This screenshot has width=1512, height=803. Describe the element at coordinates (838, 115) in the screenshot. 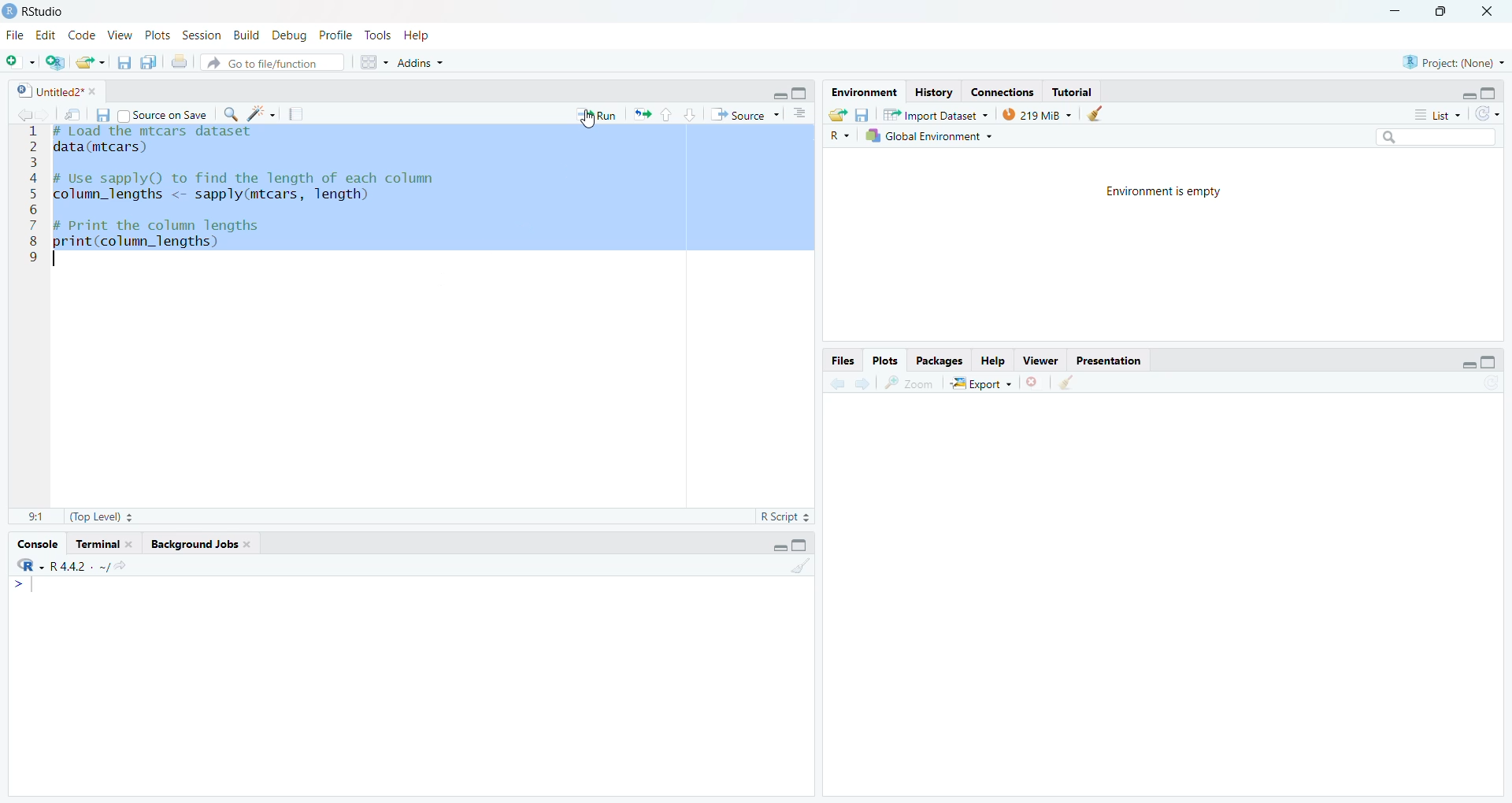

I see `Load History from an existing file` at that location.